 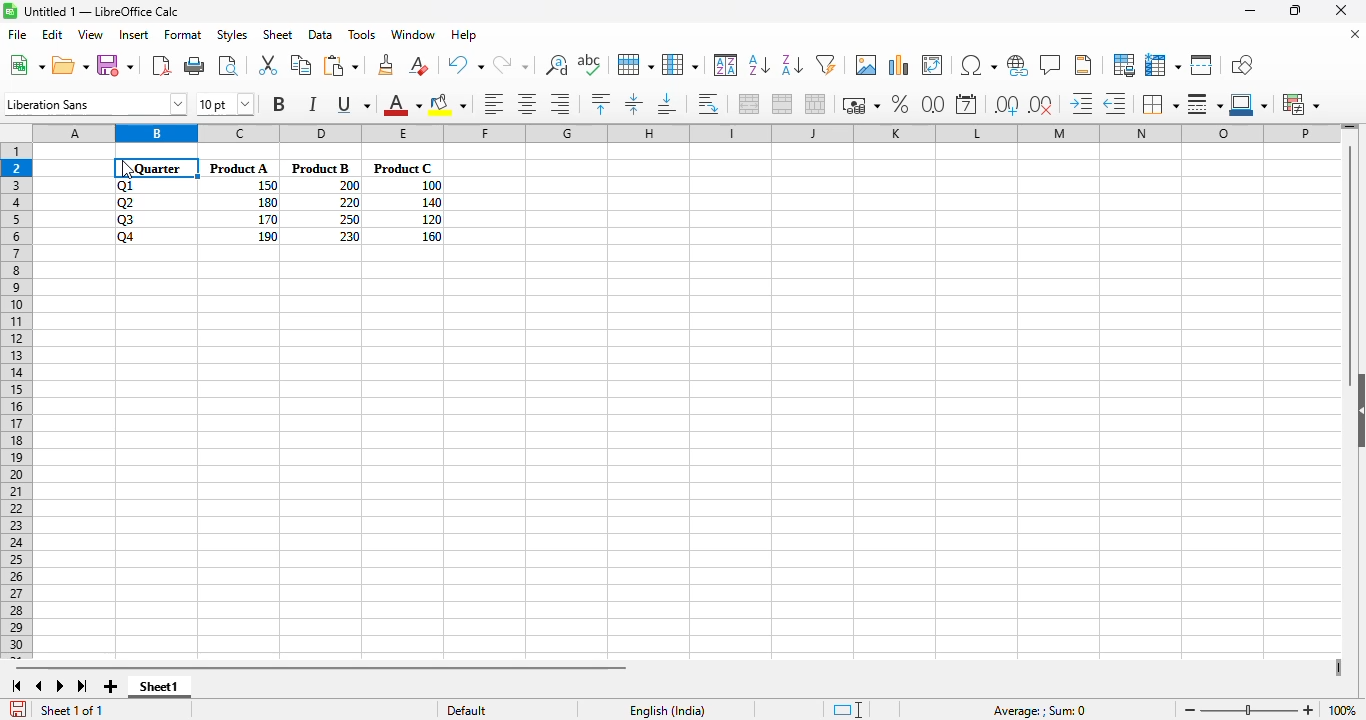 What do you see at coordinates (1343, 710) in the screenshot?
I see `zoom factor` at bounding box center [1343, 710].